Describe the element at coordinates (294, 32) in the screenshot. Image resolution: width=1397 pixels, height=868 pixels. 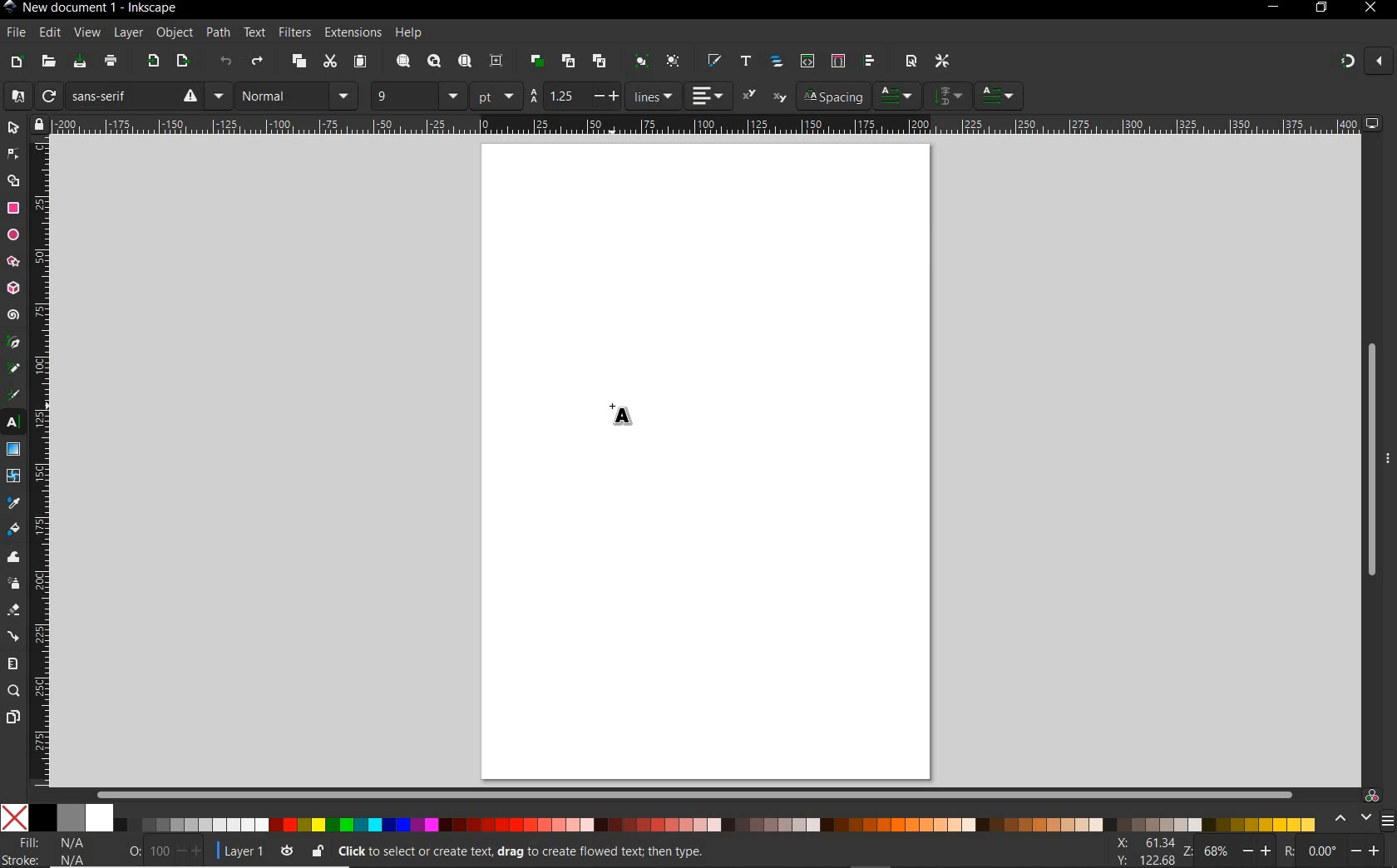
I see `filters` at that location.